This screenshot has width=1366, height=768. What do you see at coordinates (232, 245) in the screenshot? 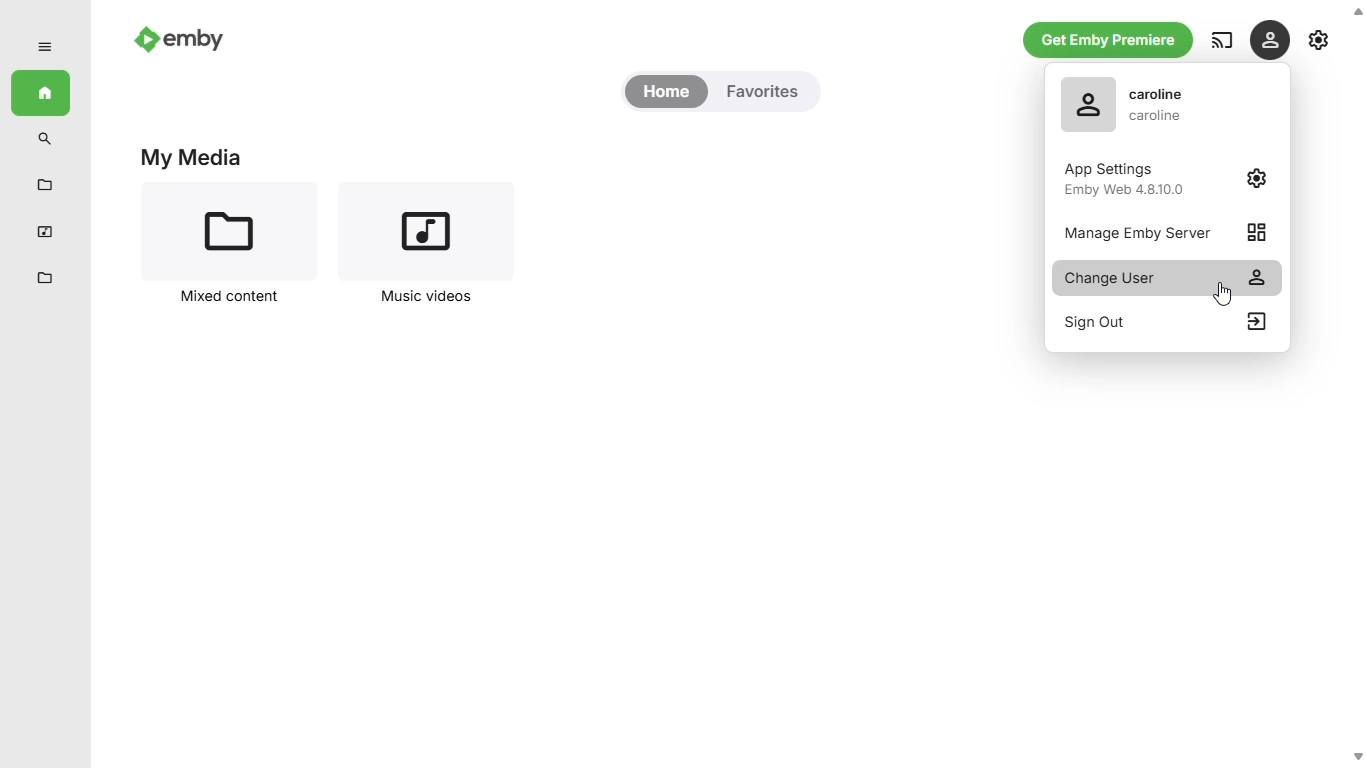
I see `mixed content` at bounding box center [232, 245].